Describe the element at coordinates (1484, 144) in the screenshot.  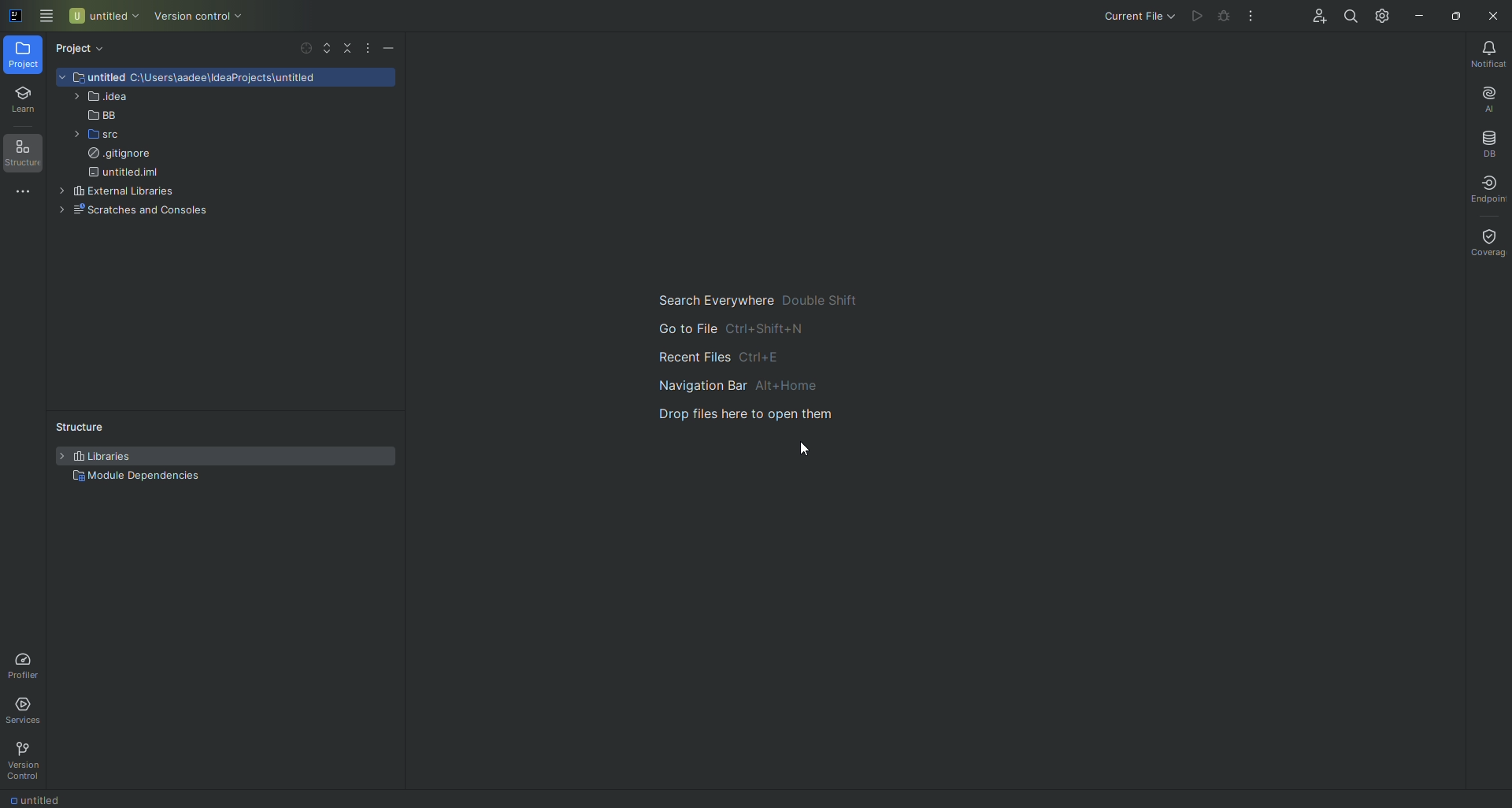
I see `Database` at that location.